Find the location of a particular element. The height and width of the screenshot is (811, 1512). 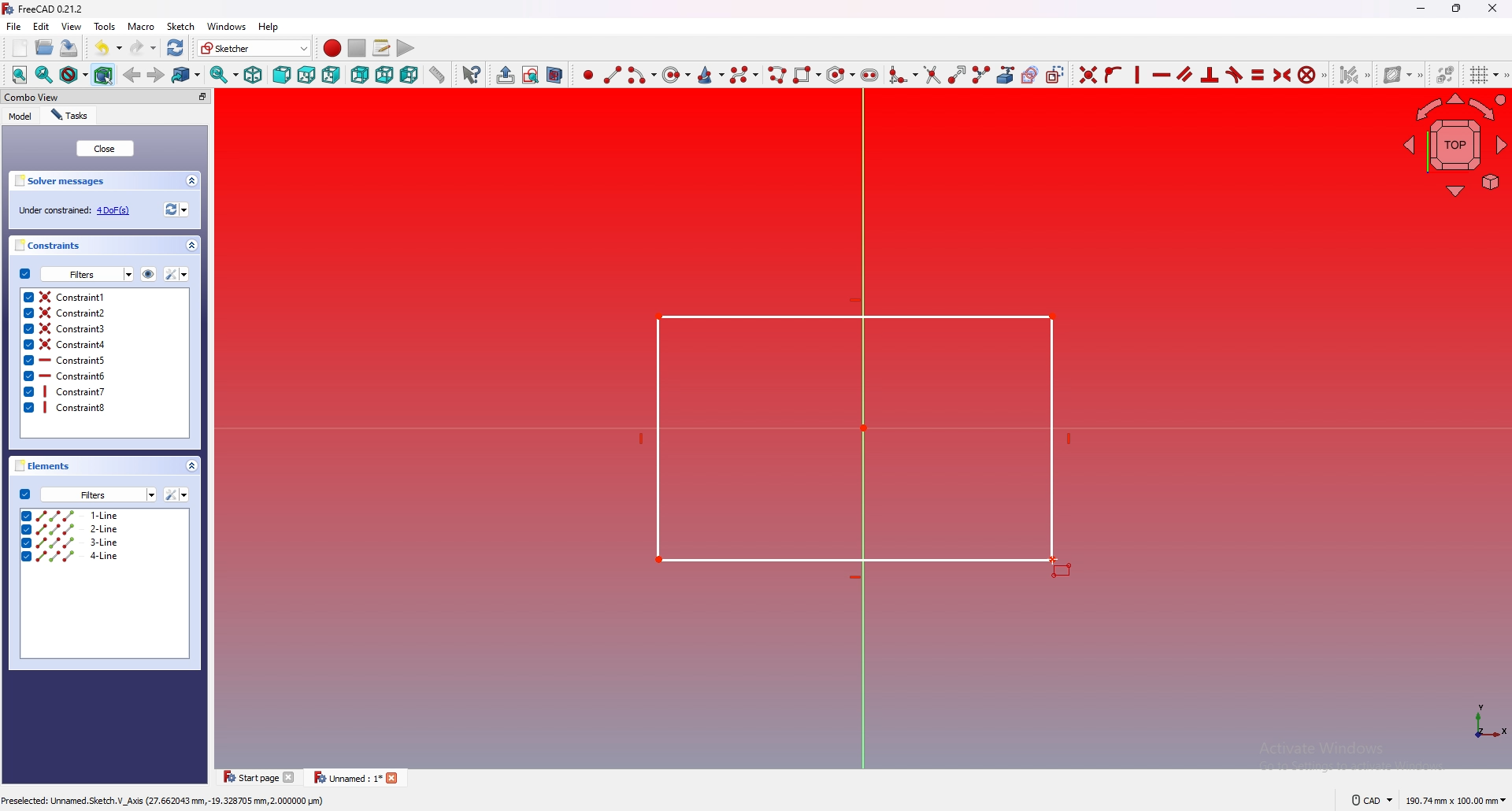

open is located at coordinates (45, 47).